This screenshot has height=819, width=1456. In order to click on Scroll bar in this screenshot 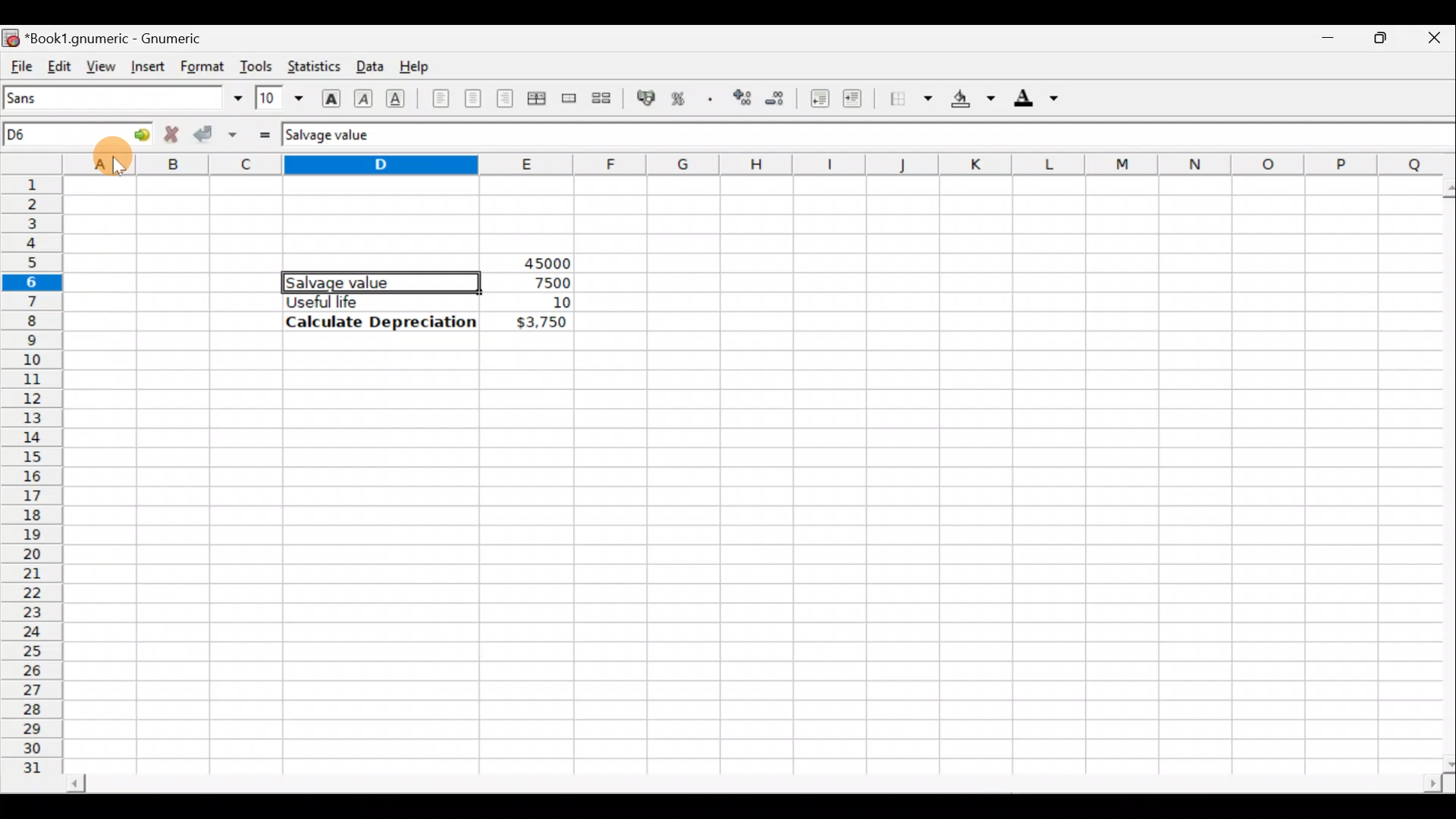, I will do `click(1438, 475)`.